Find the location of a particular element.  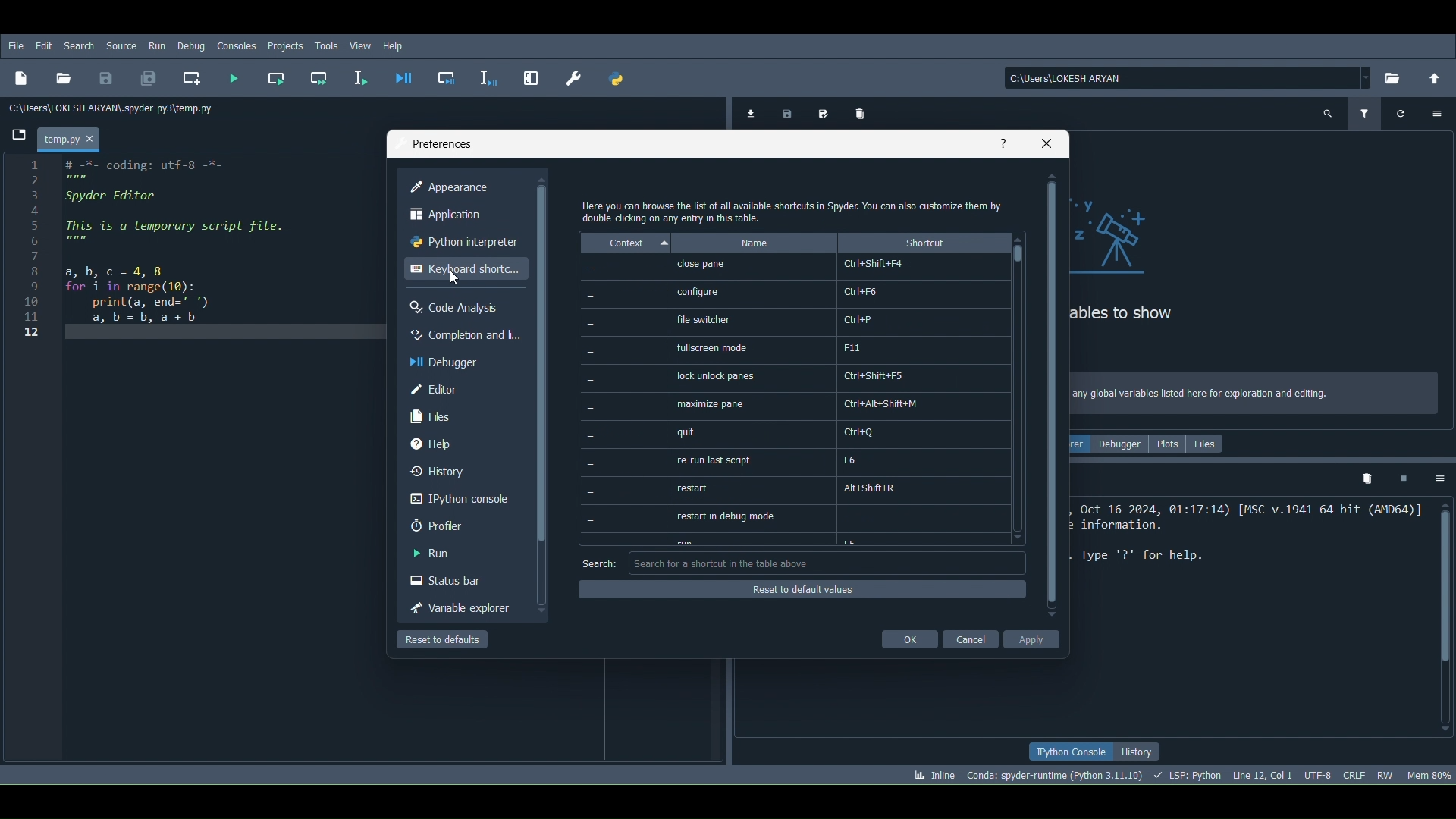

Help is located at coordinates (1001, 141).